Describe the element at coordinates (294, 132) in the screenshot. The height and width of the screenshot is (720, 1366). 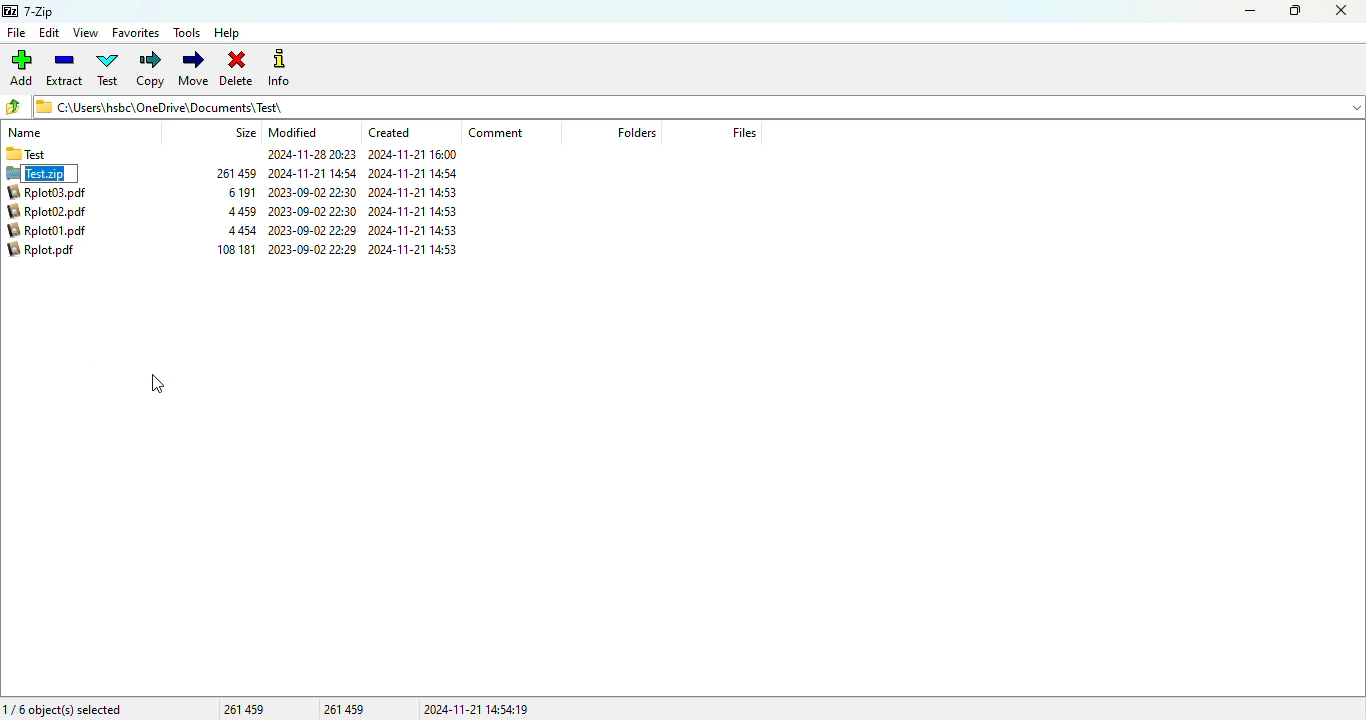
I see `modified` at that location.